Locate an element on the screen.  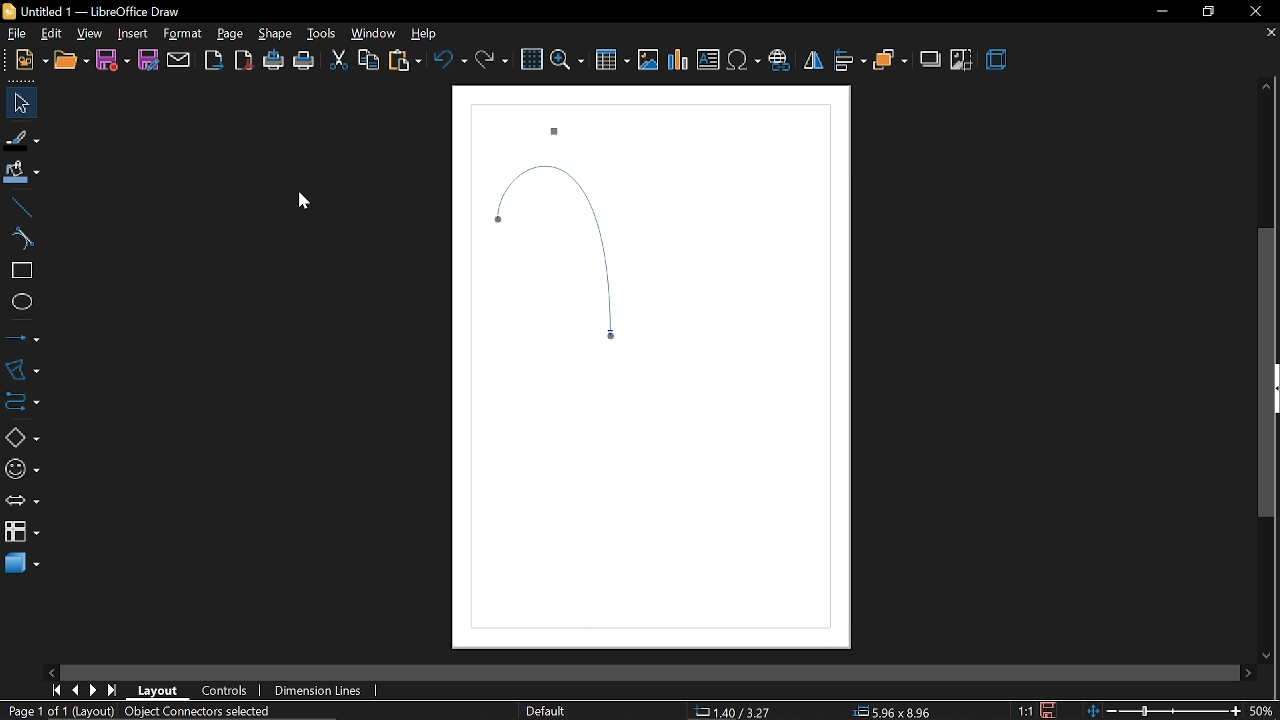
Cursor is located at coordinates (307, 203).